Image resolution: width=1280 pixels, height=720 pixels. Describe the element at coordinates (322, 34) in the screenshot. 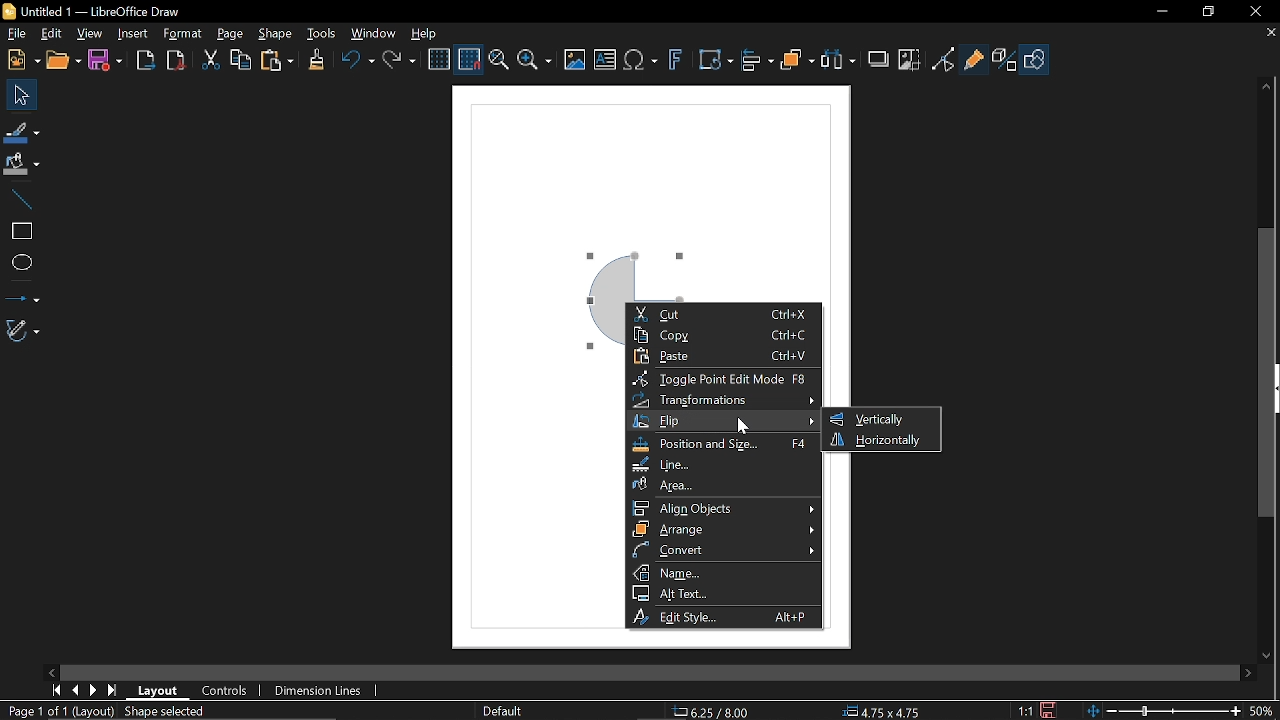

I see `Tools` at that location.